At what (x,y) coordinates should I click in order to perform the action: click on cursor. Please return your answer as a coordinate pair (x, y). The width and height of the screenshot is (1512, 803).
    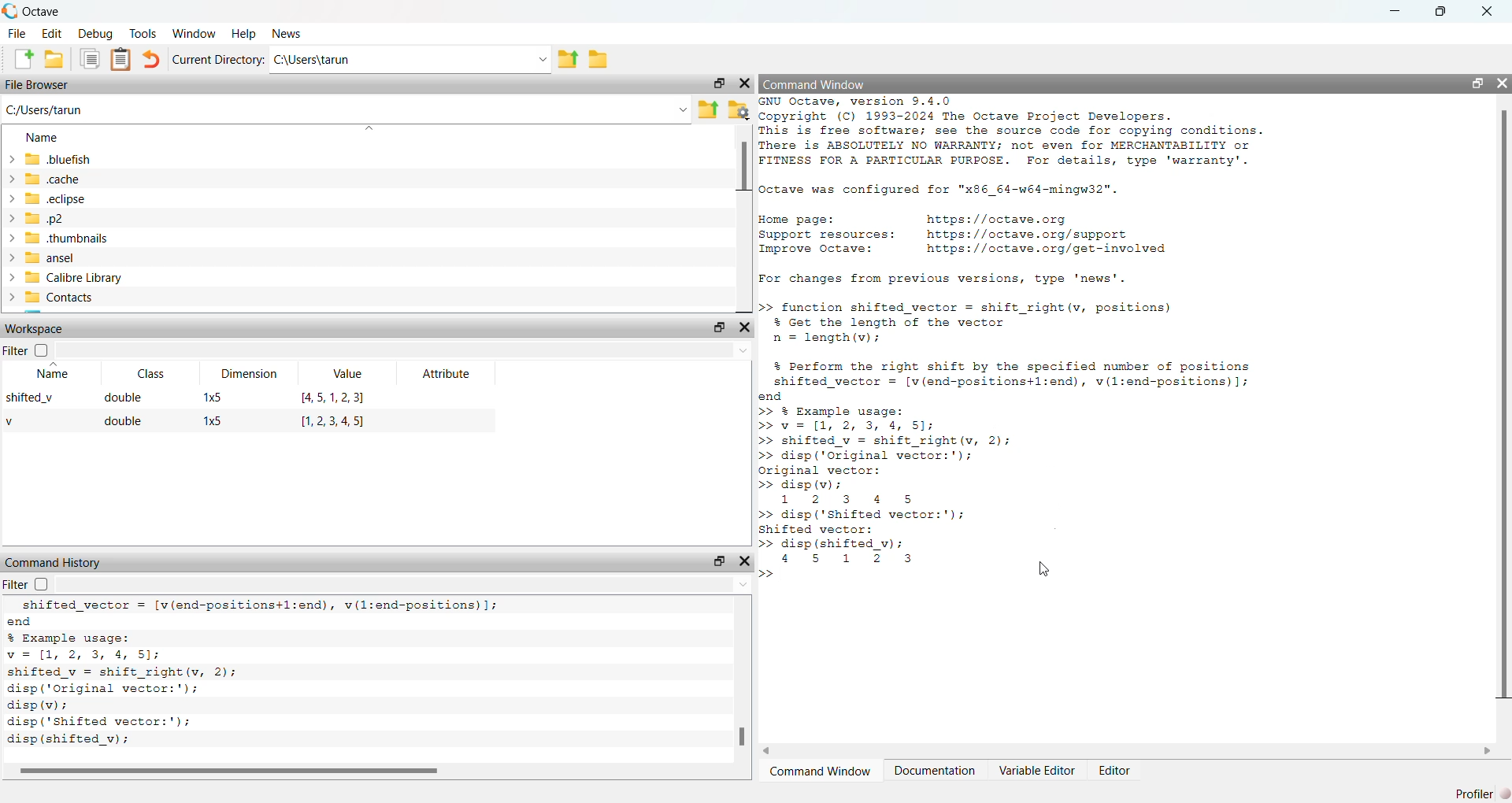
    Looking at the image, I should click on (1044, 568).